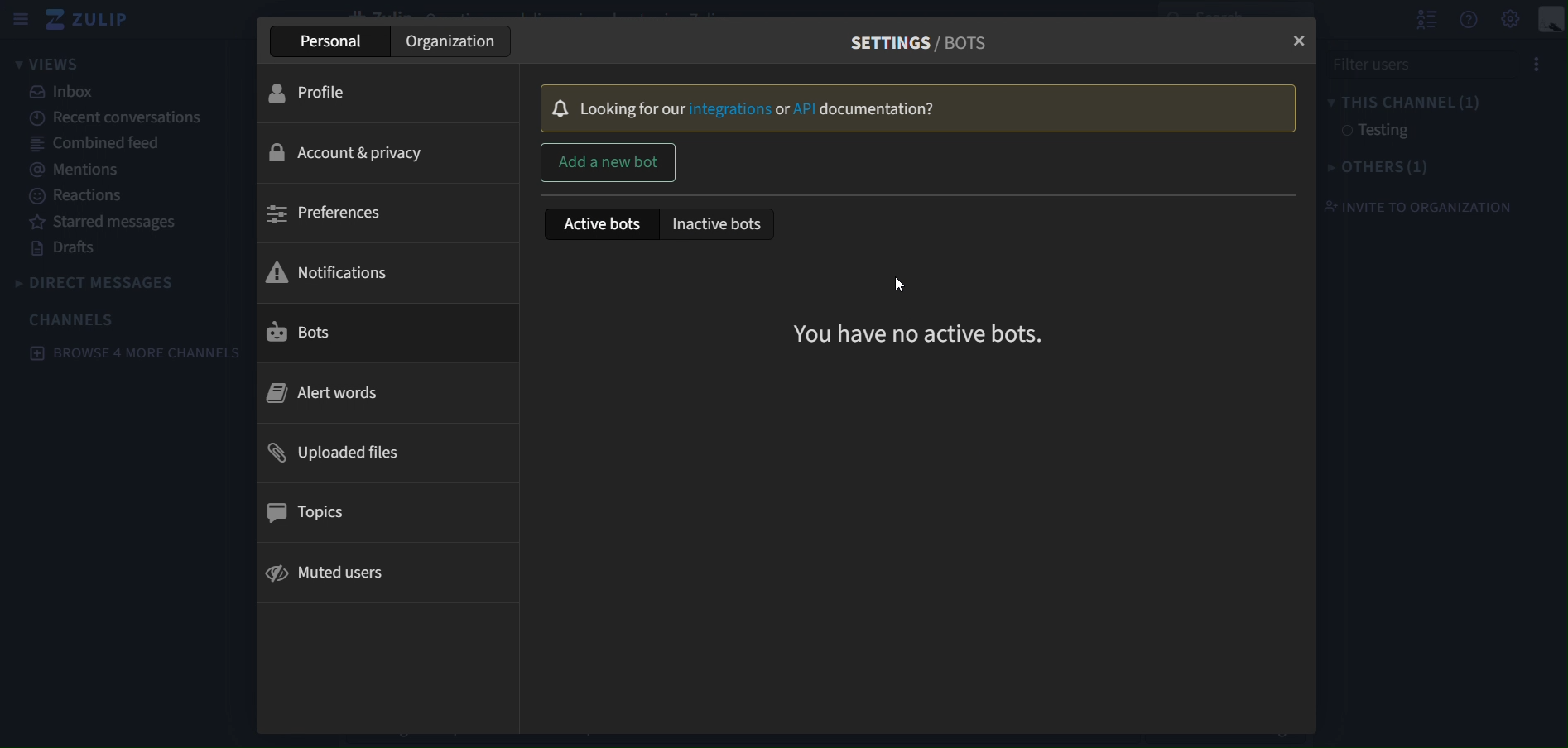  Describe the element at coordinates (608, 164) in the screenshot. I see `add a new bot` at that location.